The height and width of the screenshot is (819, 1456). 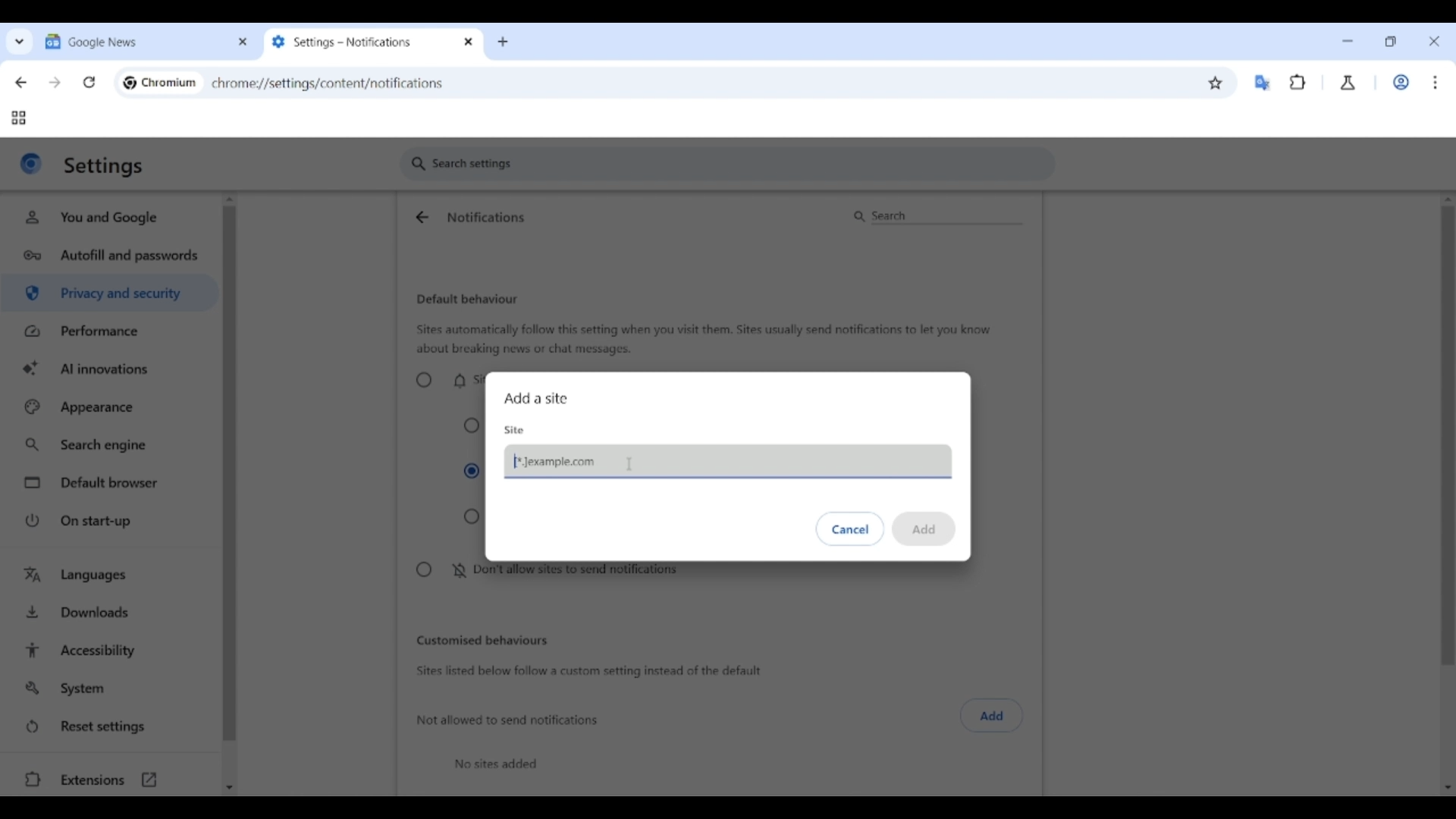 I want to click on Browser extensions, so click(x=1298, y=82).